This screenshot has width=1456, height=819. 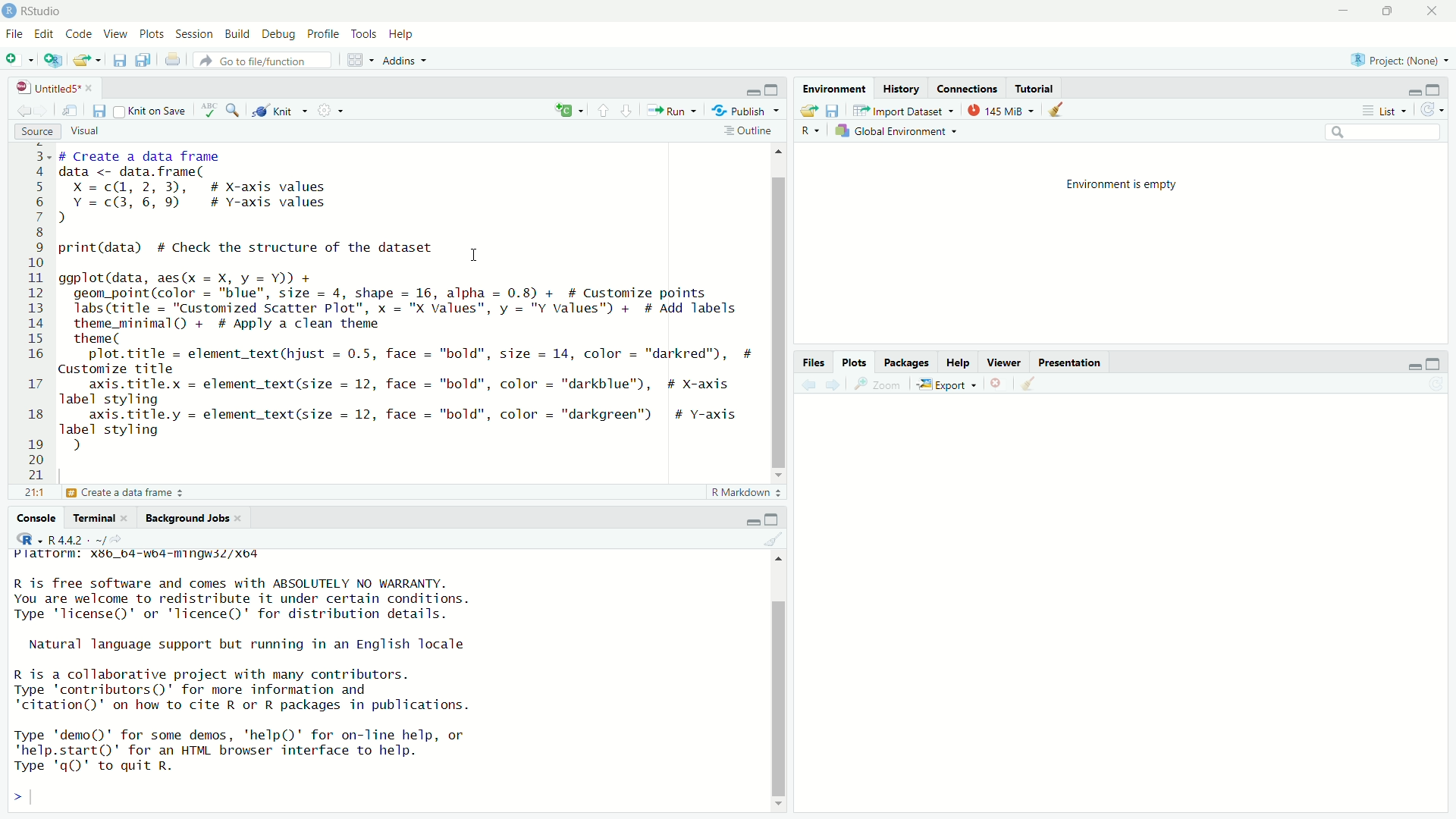 What do you see at coordinates (144, 60) in the screenshot?
I see `Save all open documents` at bounding box center [144, 60].